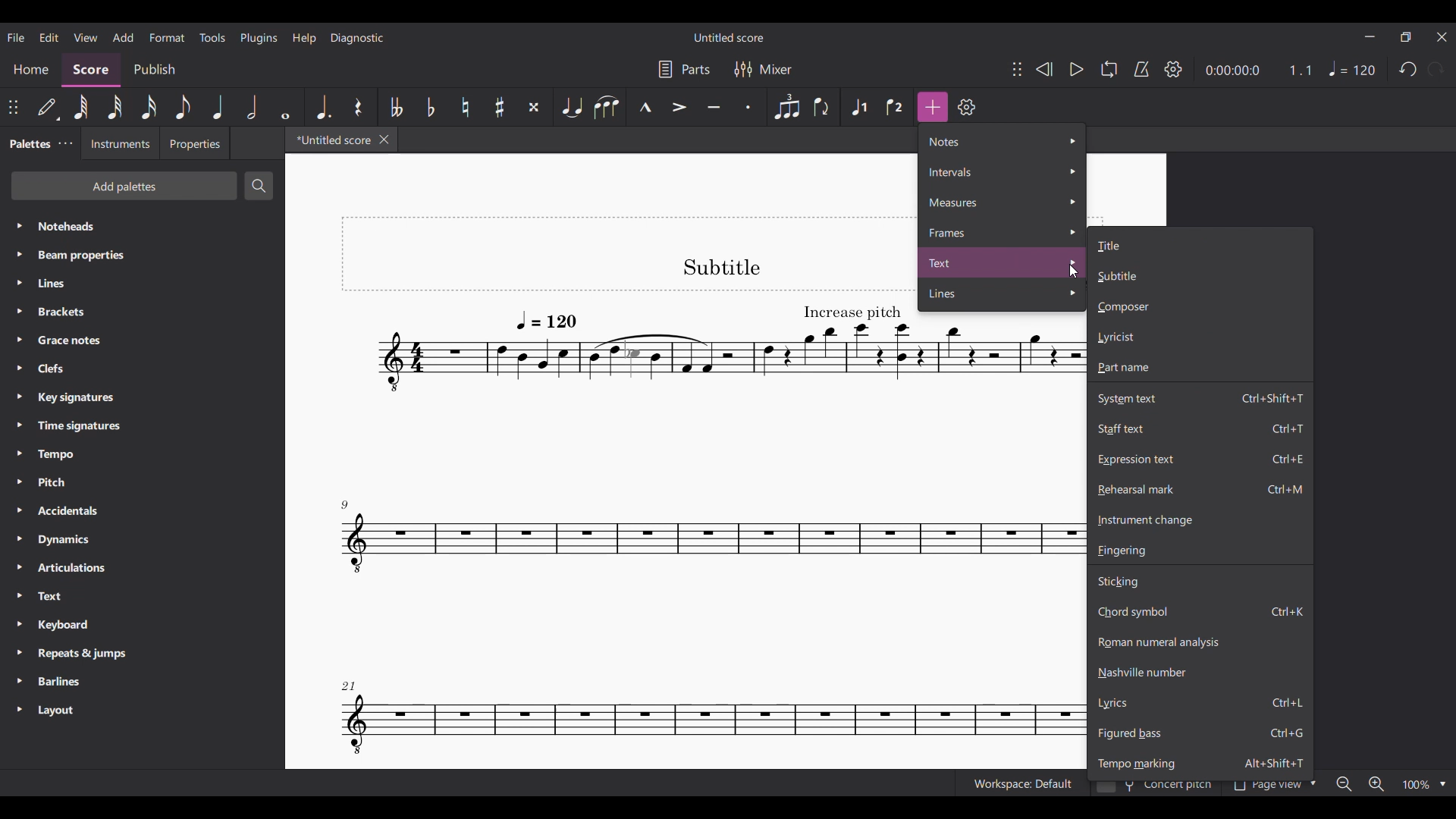  Describe the element at coordinates (967, 107) in the screenshot. I see `Settings` at that location.